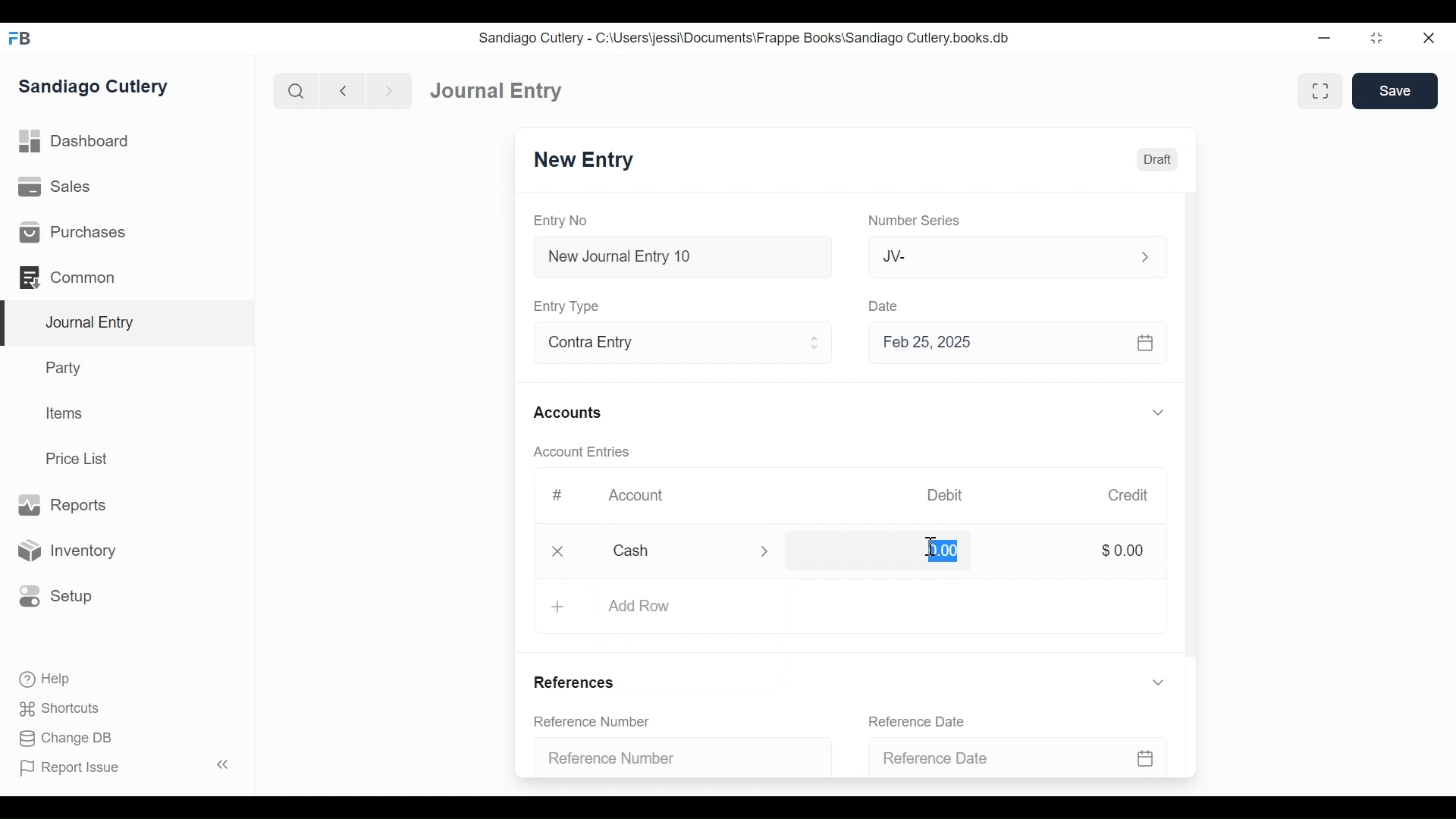 This screenshot has width=1456, height=819. I want to click on Expand, so click(1144, 256).